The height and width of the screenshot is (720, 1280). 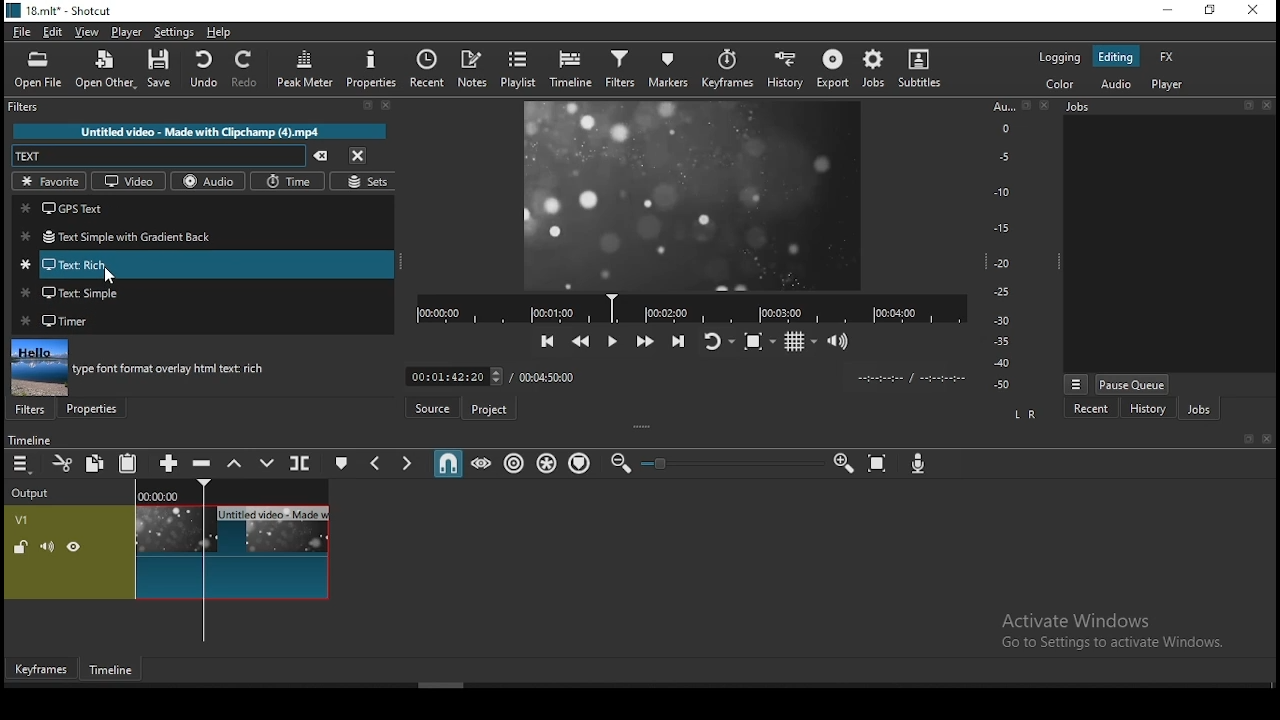 What do you see at coordinates (173, 33) in the screenshot?
I see `settings` at bounding box center [173, 33].